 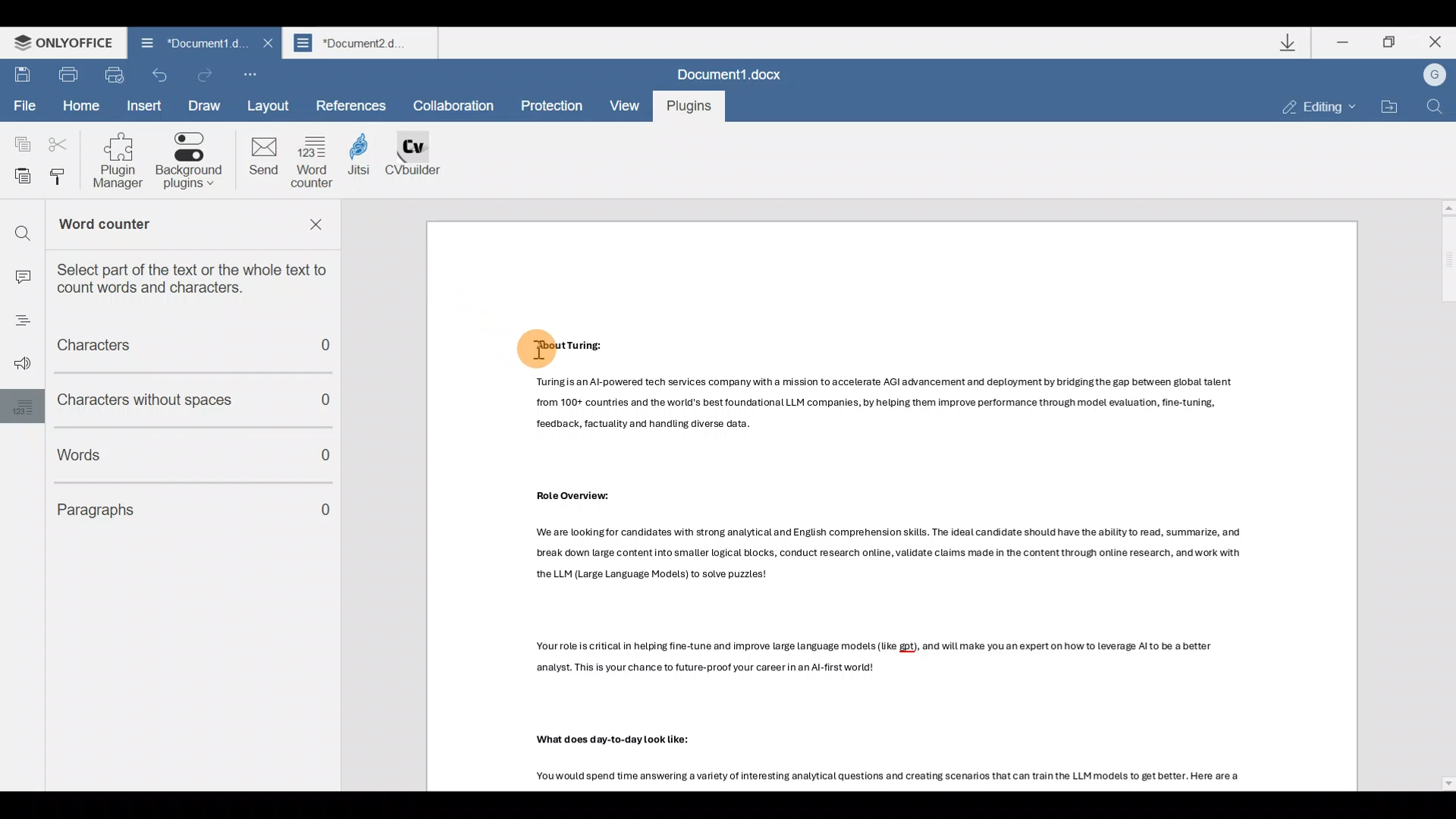 What do you see at coordinates (68, 76) in the screenshot?
I see `Print file` at bounding box center [68, 76].